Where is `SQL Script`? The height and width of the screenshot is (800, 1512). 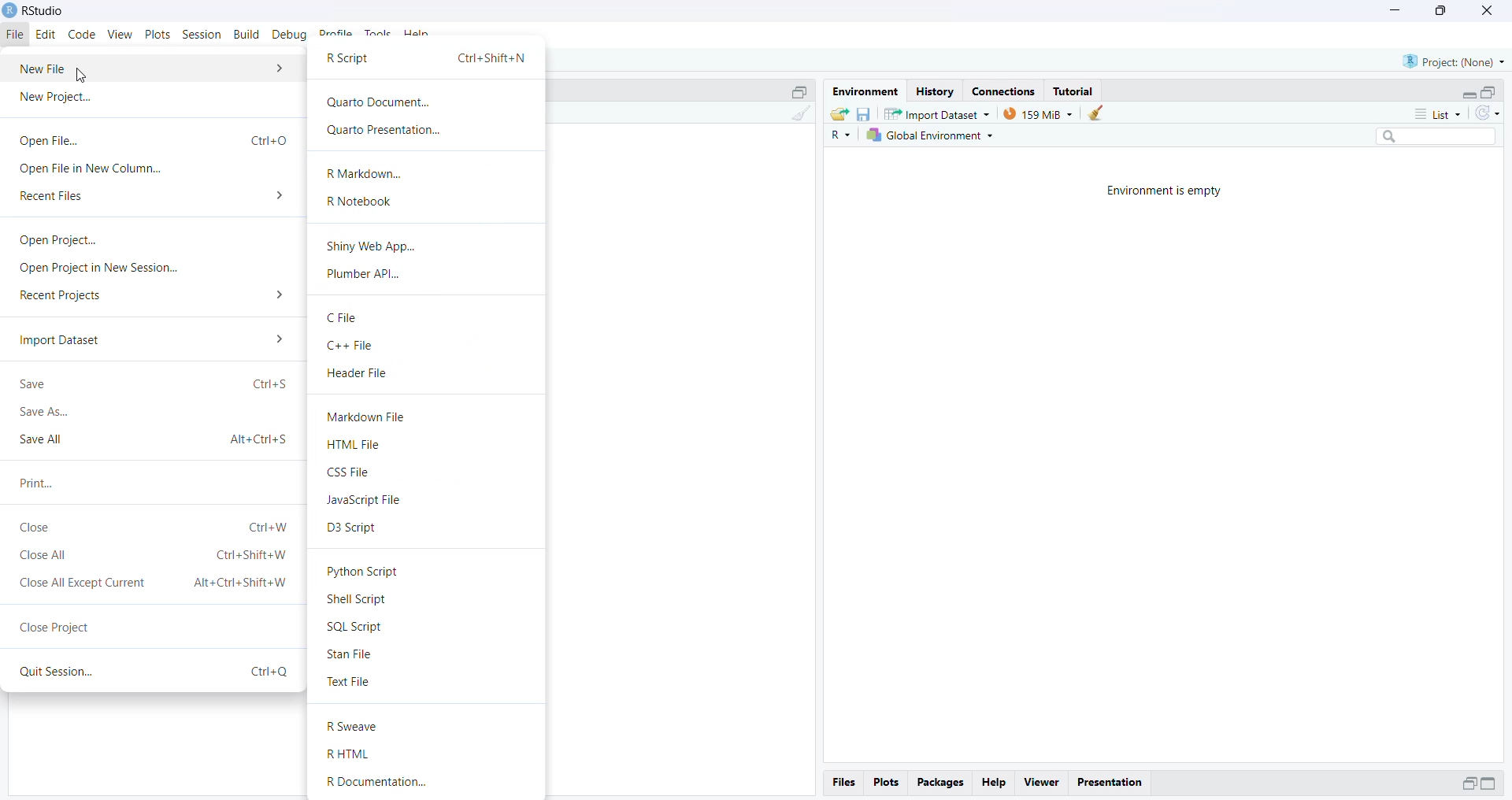 SQL Script is located at coordinates (357, 627).